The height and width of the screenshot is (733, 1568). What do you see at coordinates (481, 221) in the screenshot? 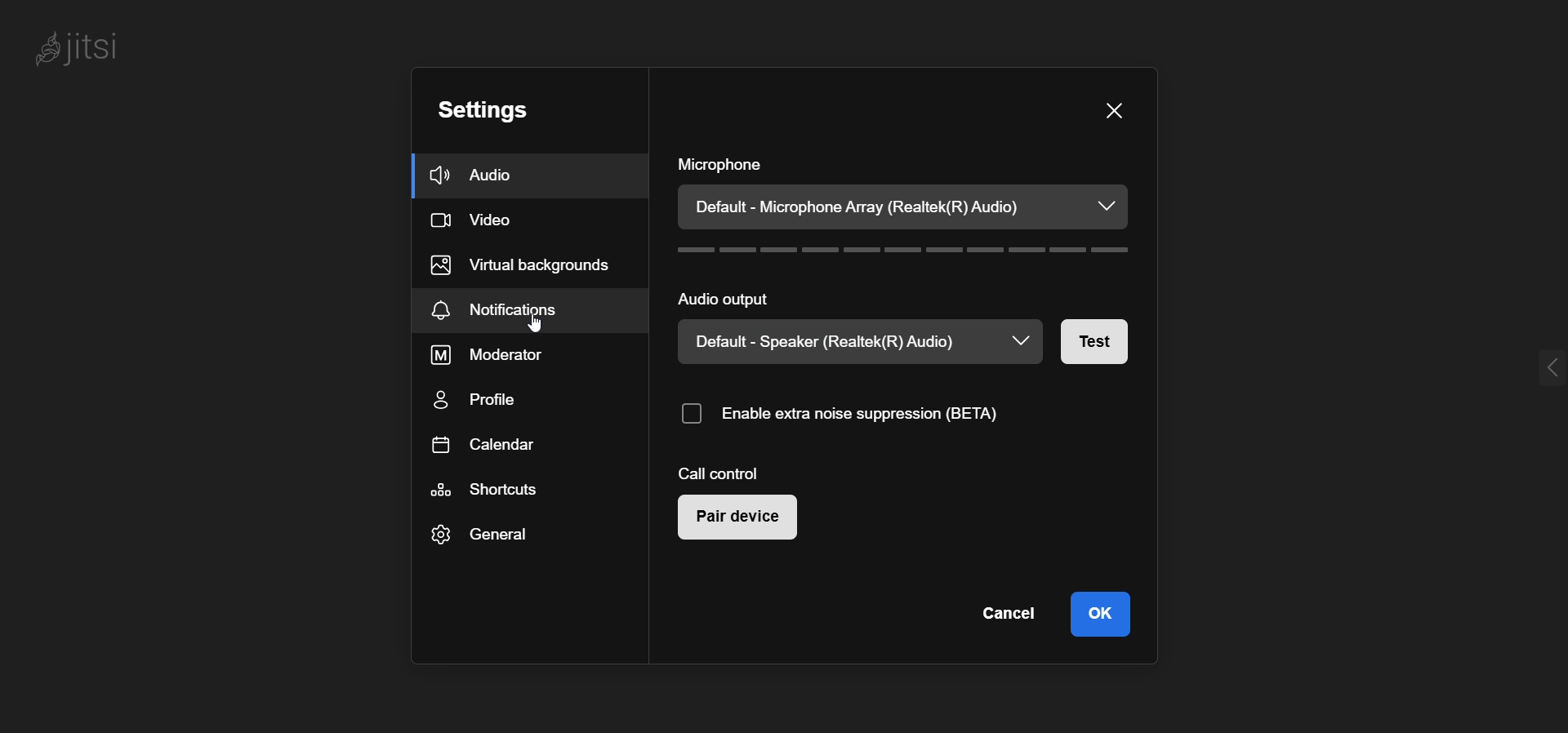
I see `video` at bounding box center [481, 221].